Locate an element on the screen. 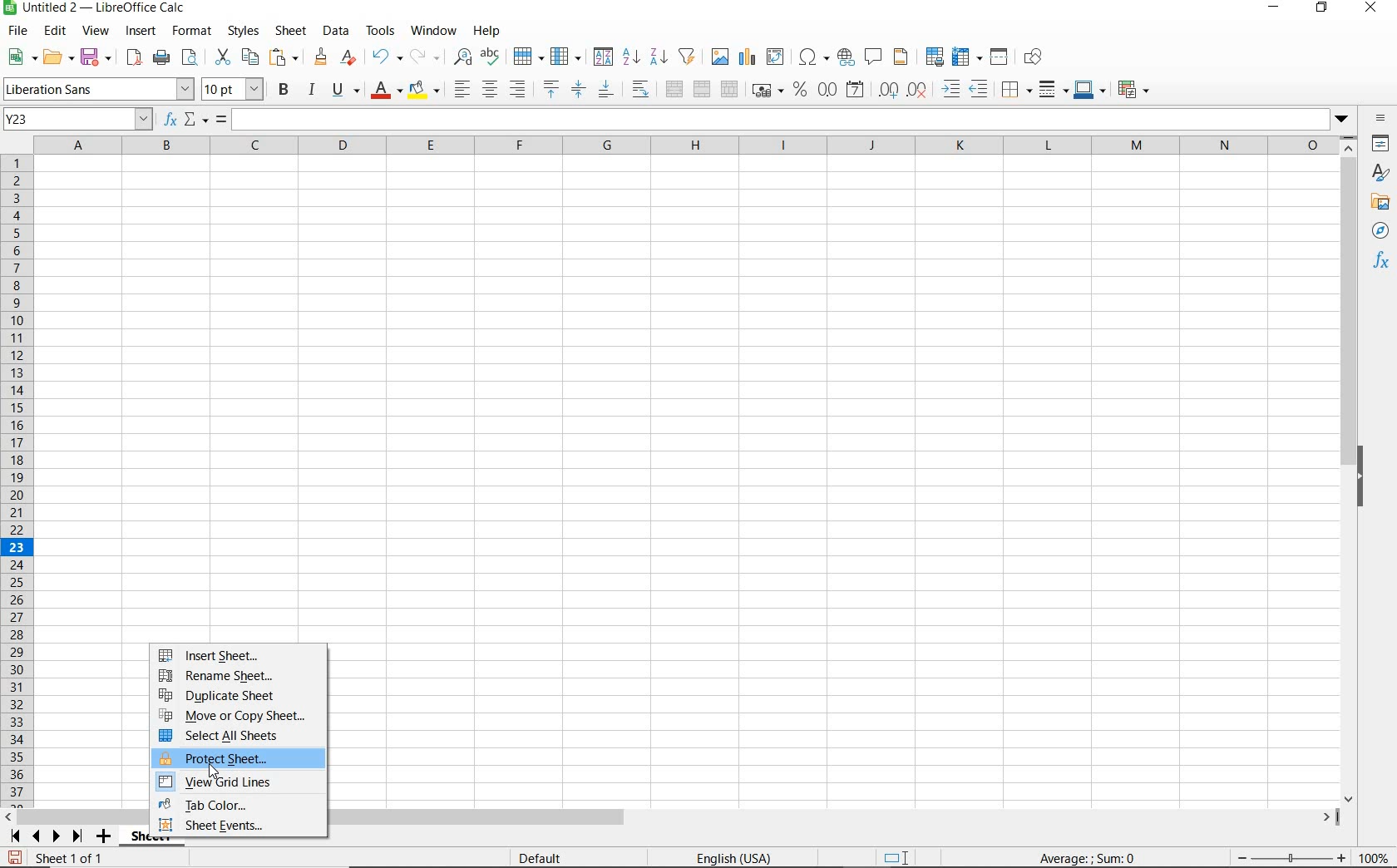 This screenshot has width=1397, height=868. FORMULA is located at coordinates (222, 120).